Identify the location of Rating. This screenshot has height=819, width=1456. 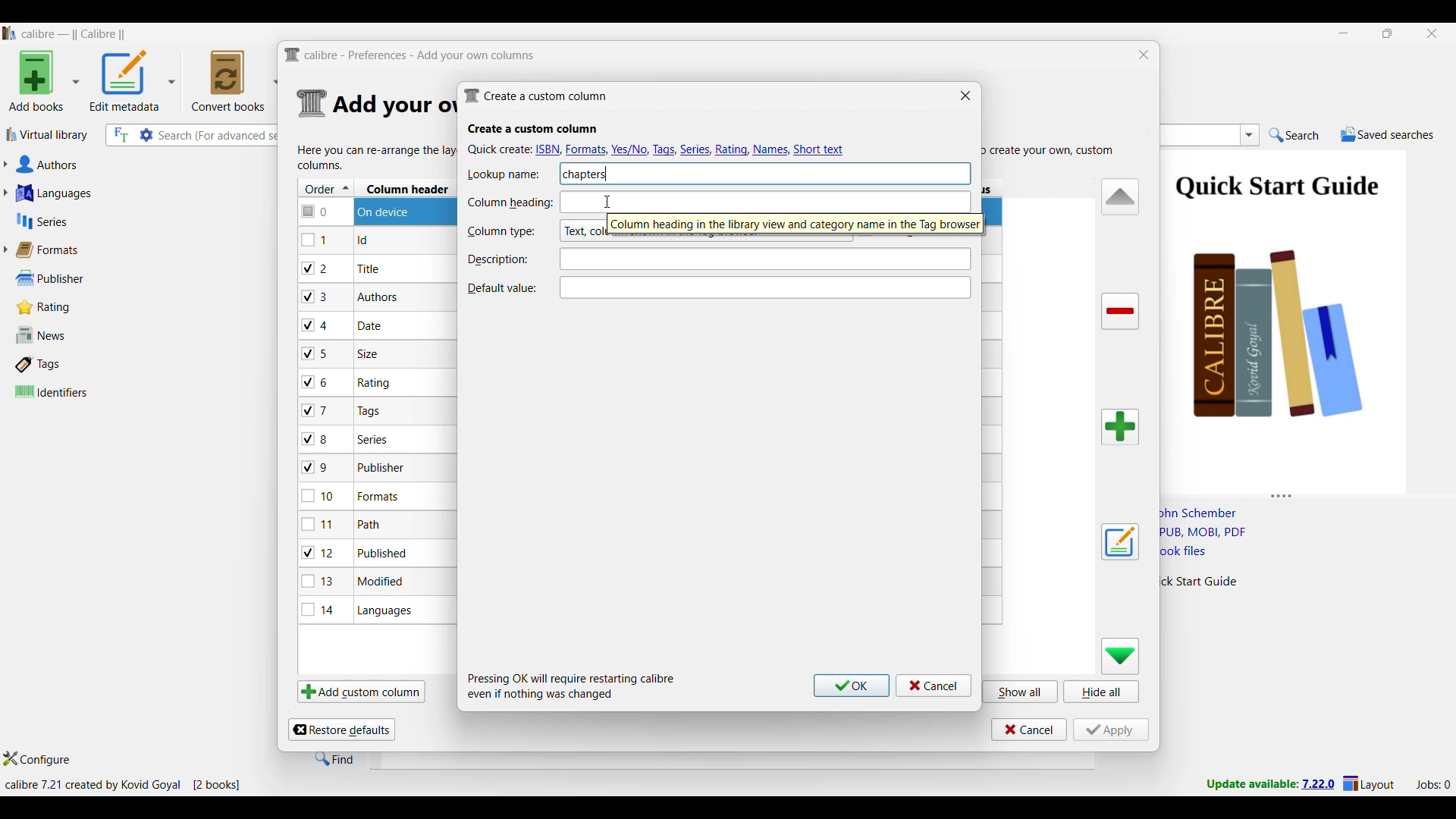
(52, 307).